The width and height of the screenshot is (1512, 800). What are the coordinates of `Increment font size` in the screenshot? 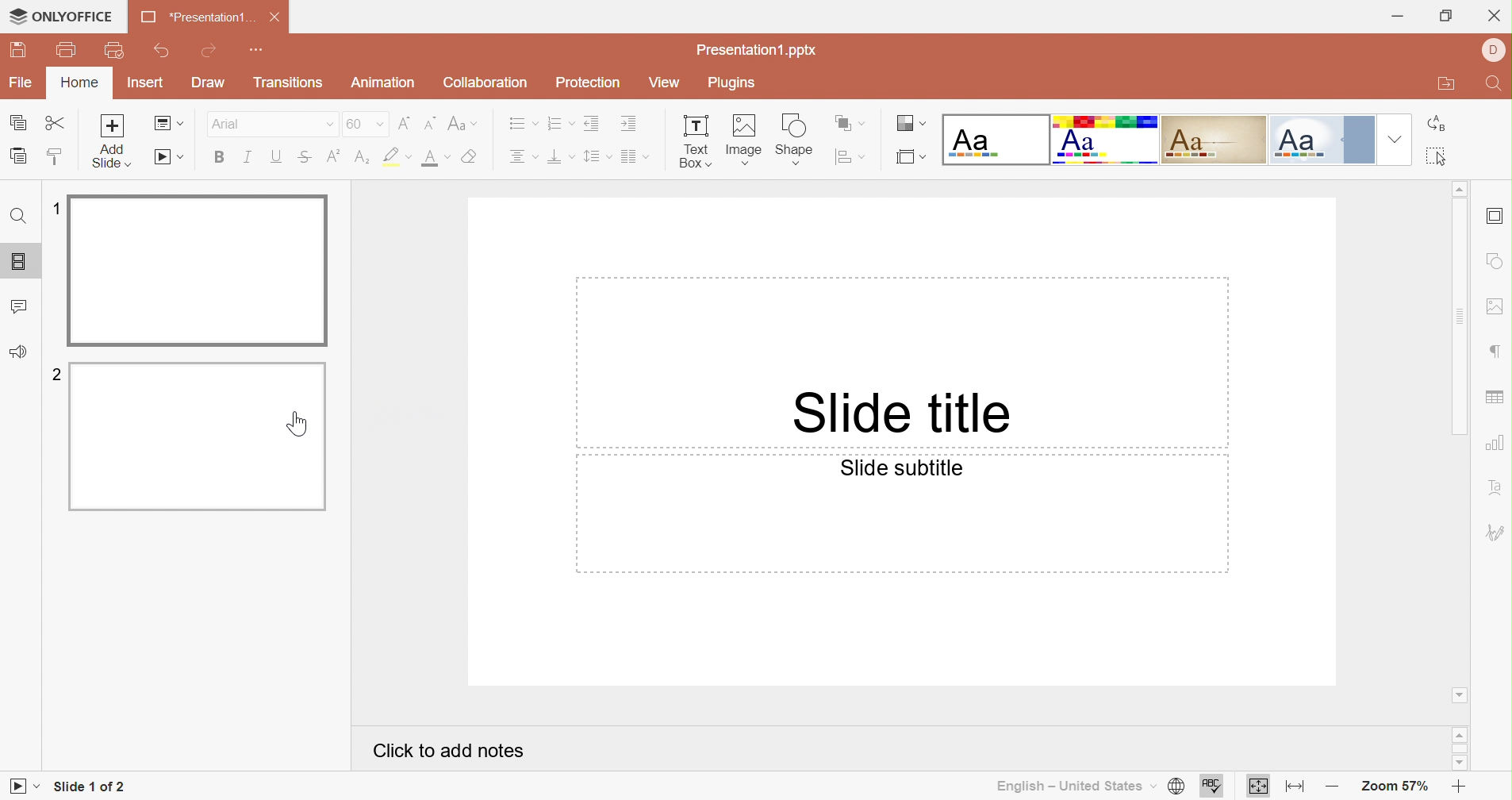 It's located at (404, 123).